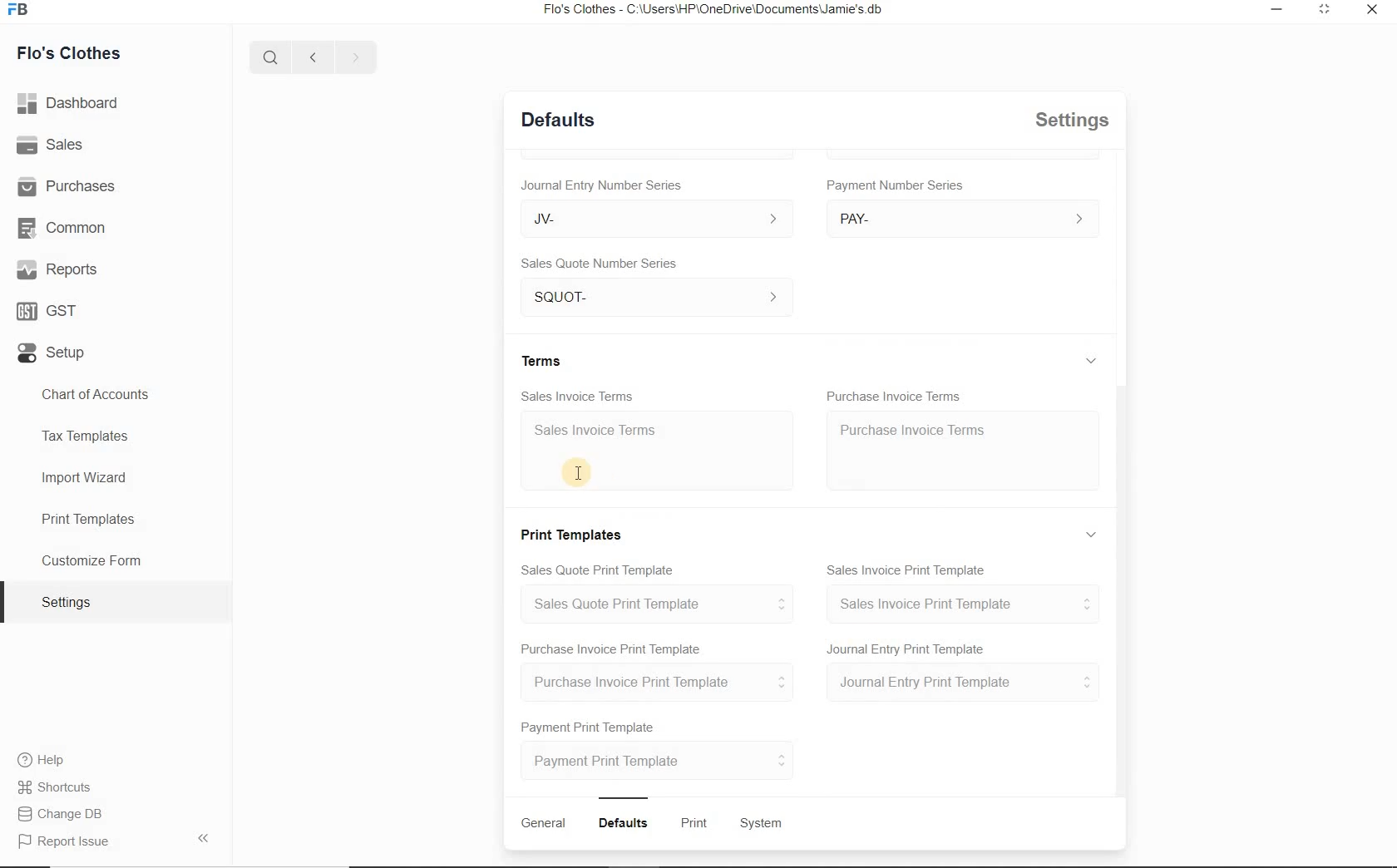 The height and width of the screenshot is (868, 1397). I want to click on GST, so click(48, 311).